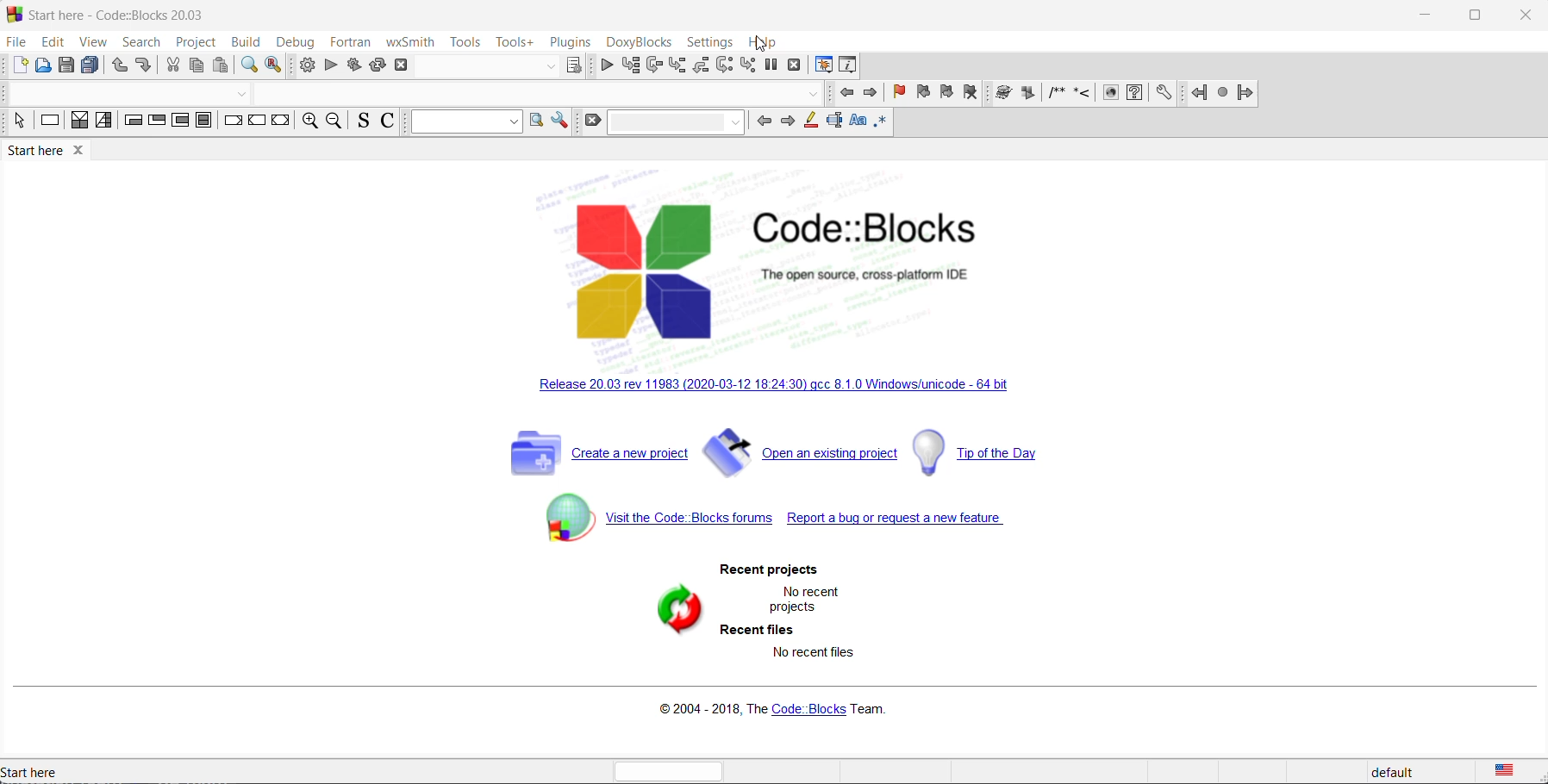 This screenshot has height=784, width=1548. What do you see at coordinates (672, 612) in the screenshot?
I see `refresh` at bounding box center [672, 612].